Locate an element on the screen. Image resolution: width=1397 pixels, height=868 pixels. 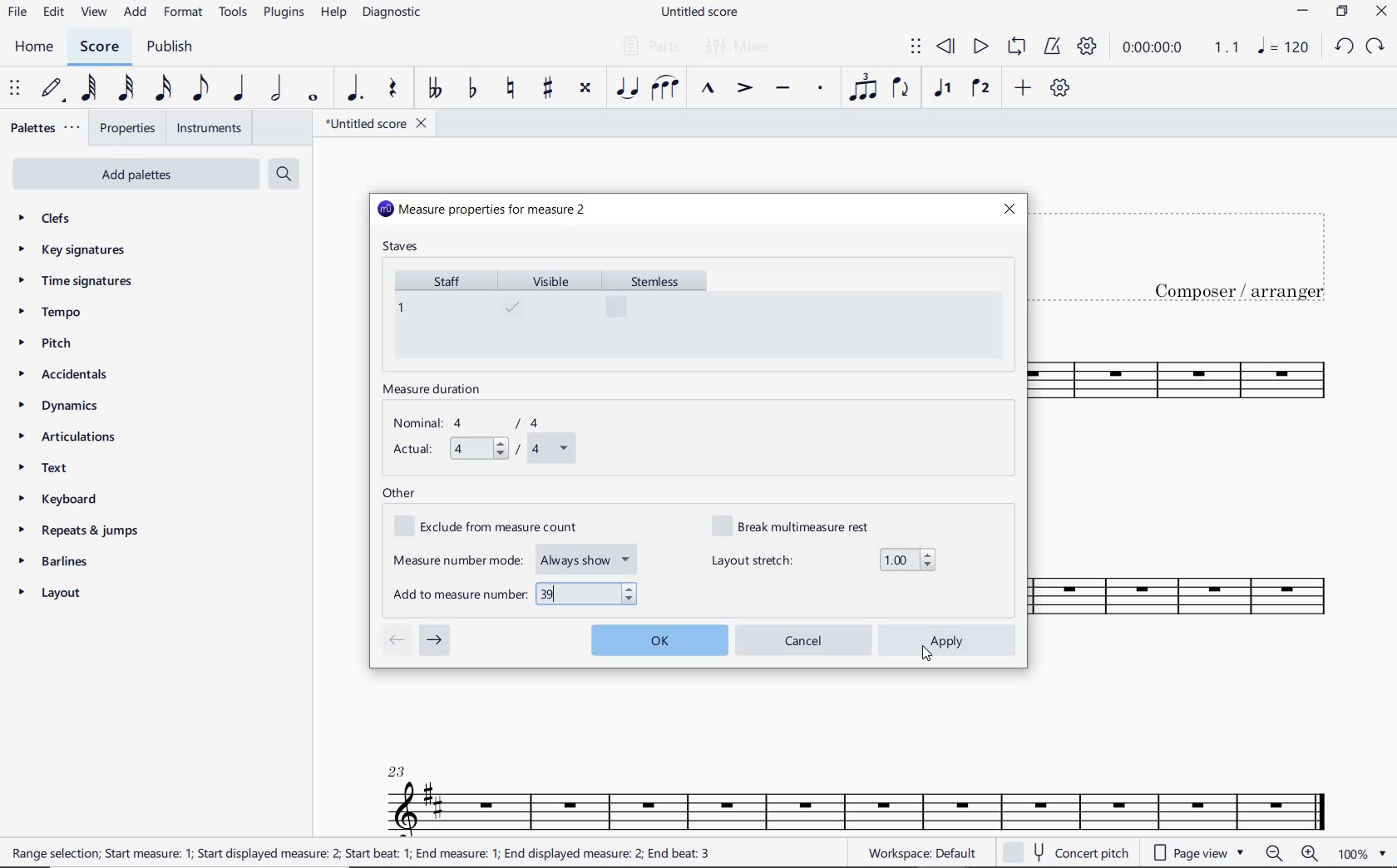
title is located at coordinates (1196, 253).